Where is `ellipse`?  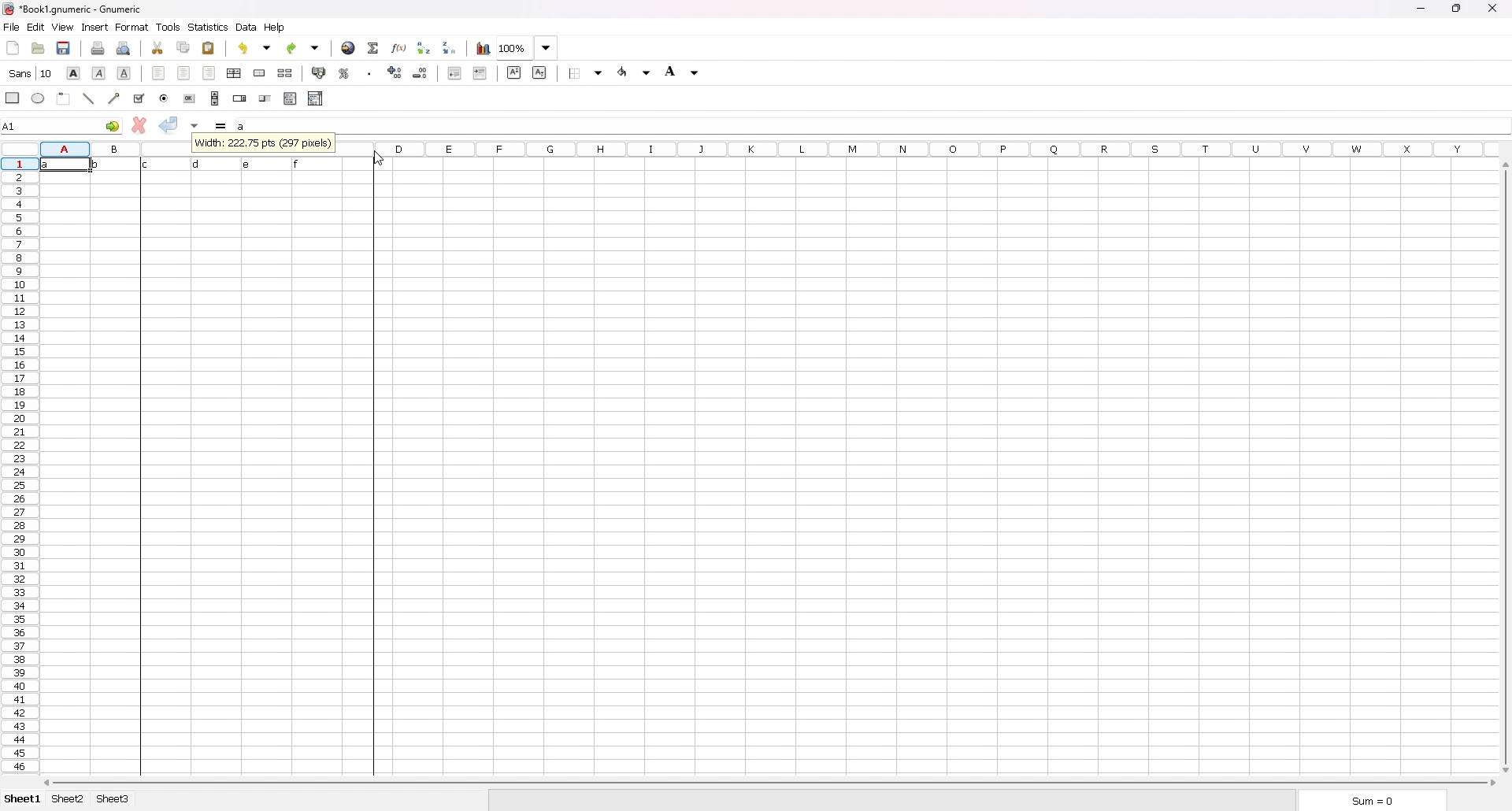
ellipse is located at coordinates (39, 98).